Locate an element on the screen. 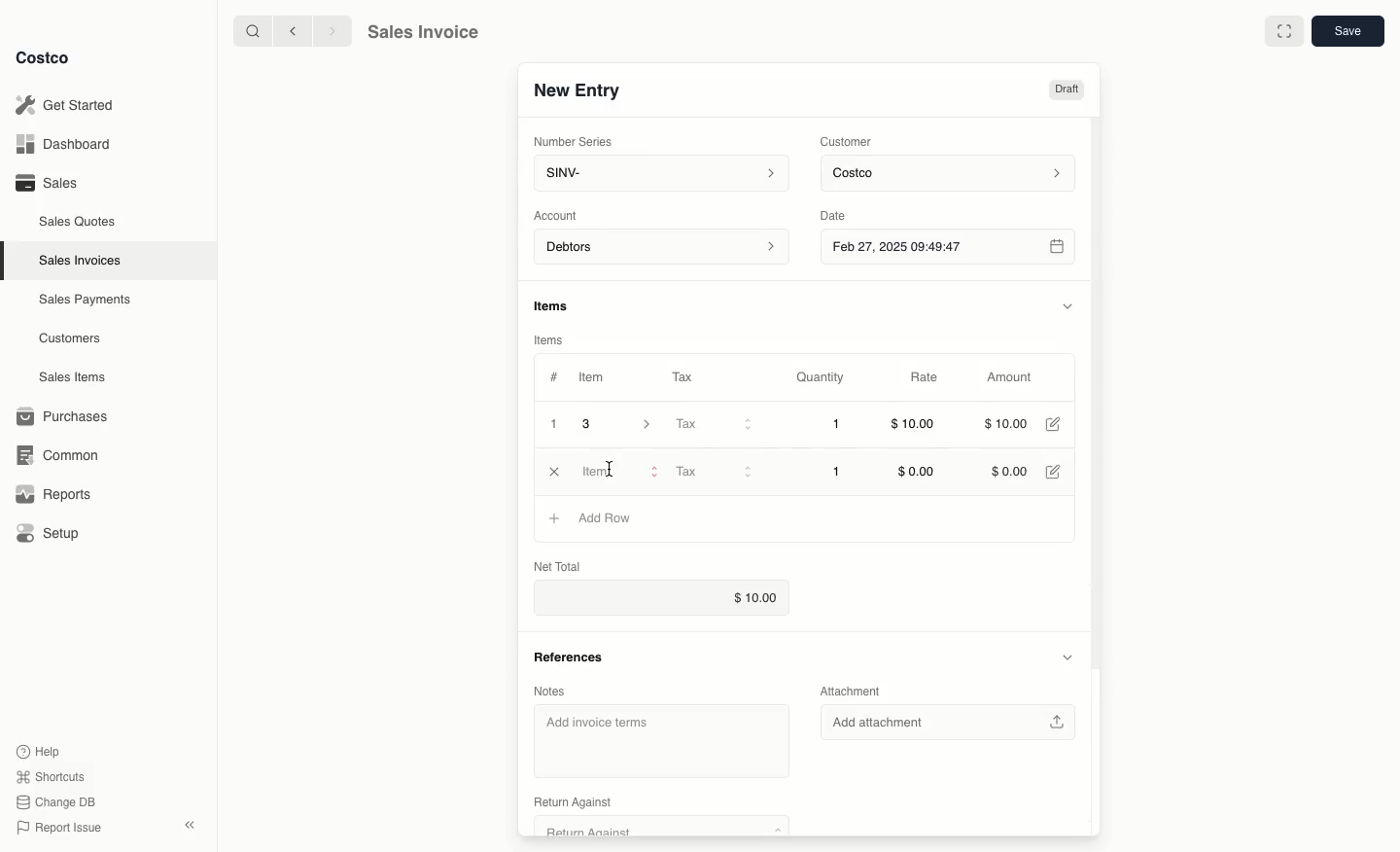 This screenshot has height=852, width=1400. Item is located at coordinates (593, 376).